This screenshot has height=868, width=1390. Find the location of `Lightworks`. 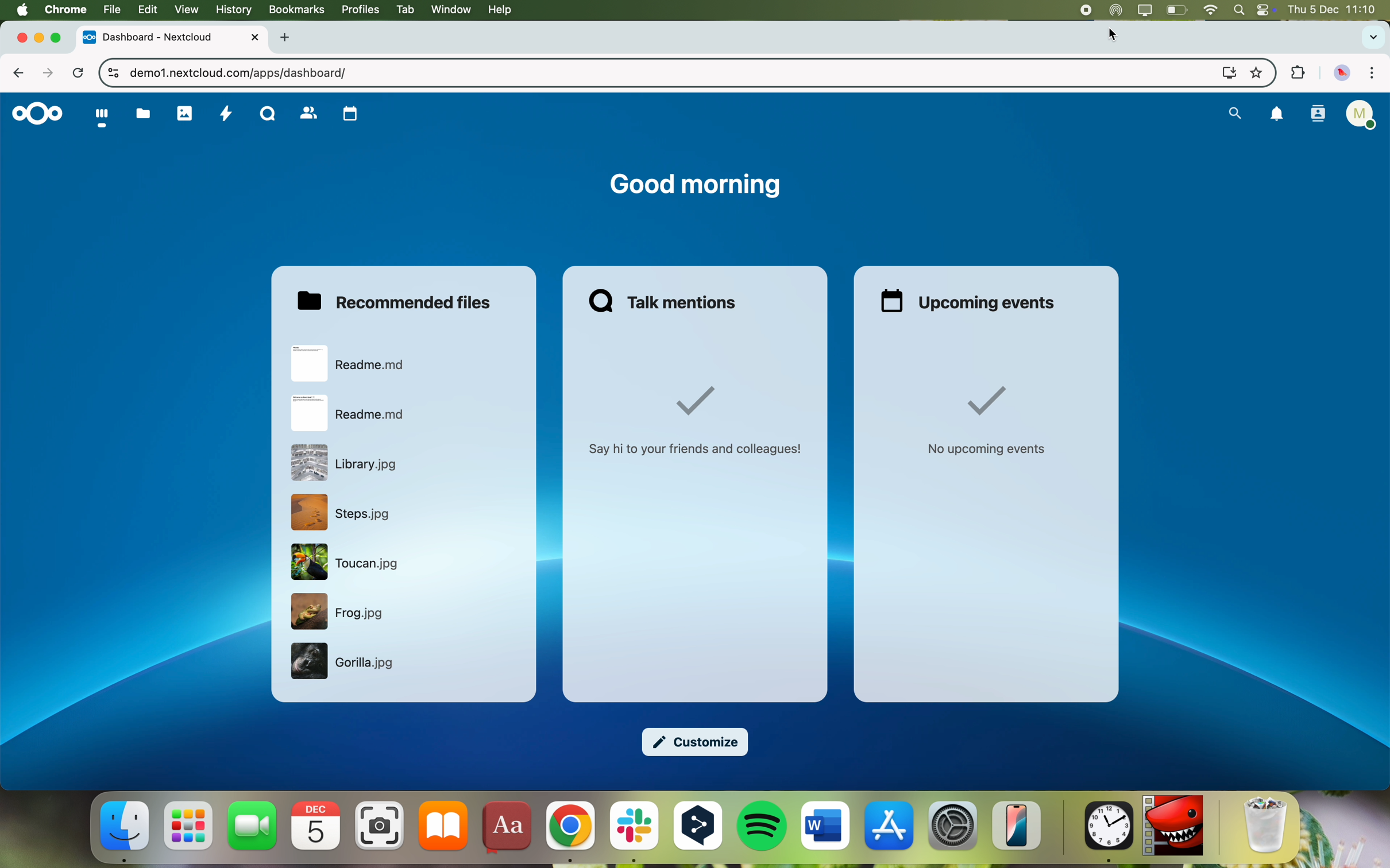

Lightworks is located at coordinates (1173, 827).